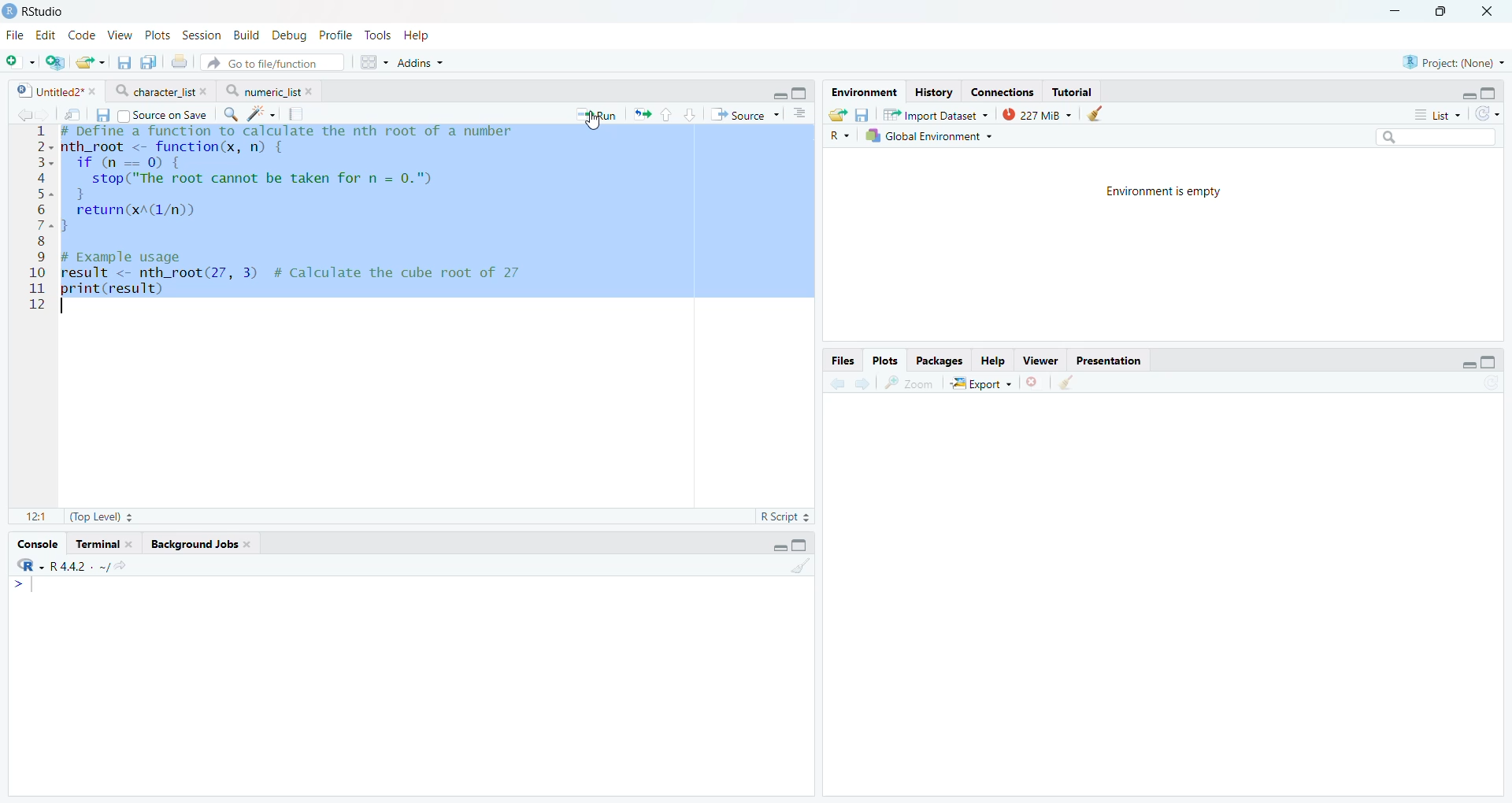  Describe the element at coordinates (72, 565) in the screenshot. I see `R -R 4.4.2. ~/` at that location.